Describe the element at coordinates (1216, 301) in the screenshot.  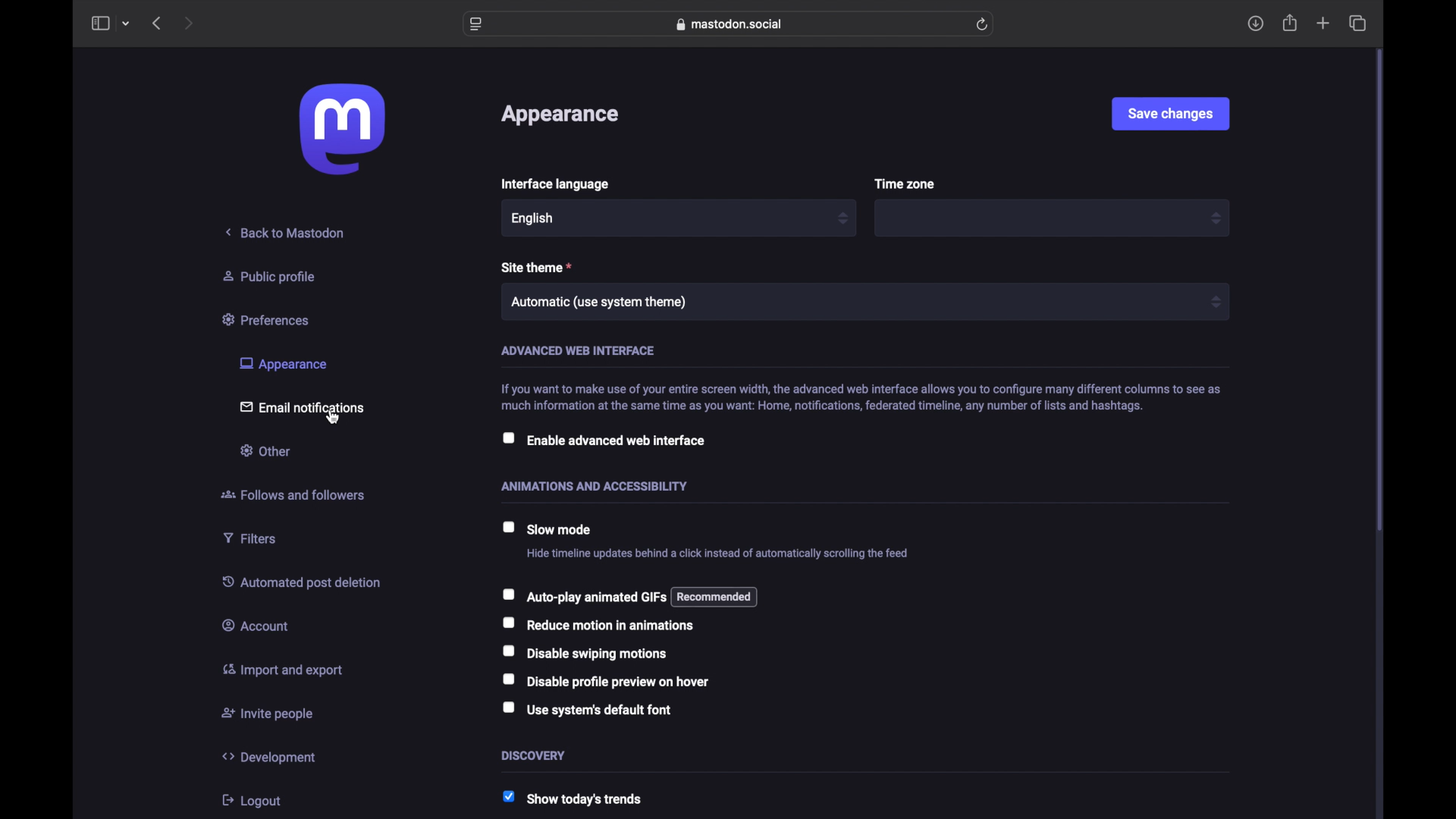
I see `dropdown` at that location.